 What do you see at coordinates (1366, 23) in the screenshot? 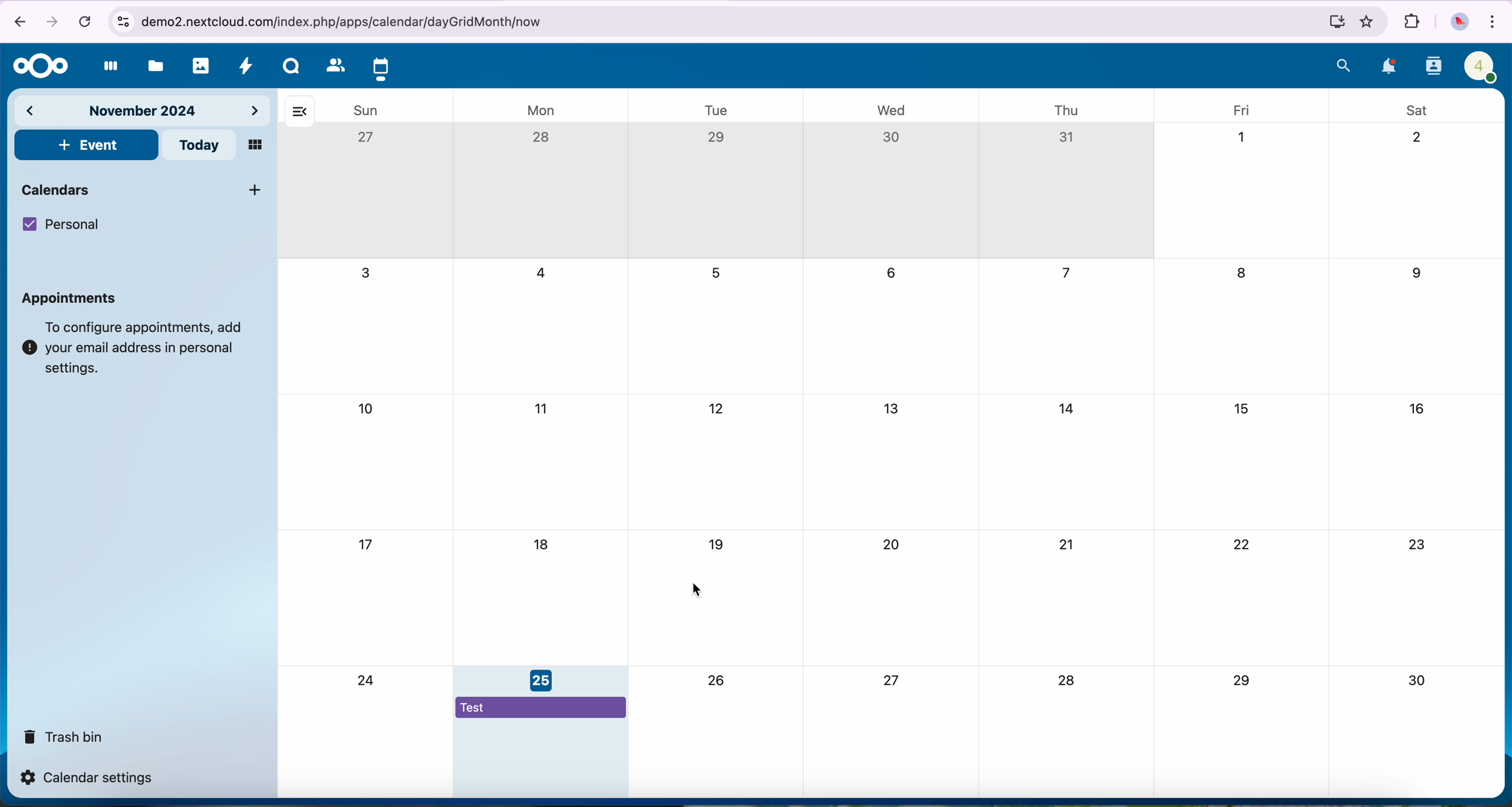
I see `favorites` at bounding box center [1366, 23].